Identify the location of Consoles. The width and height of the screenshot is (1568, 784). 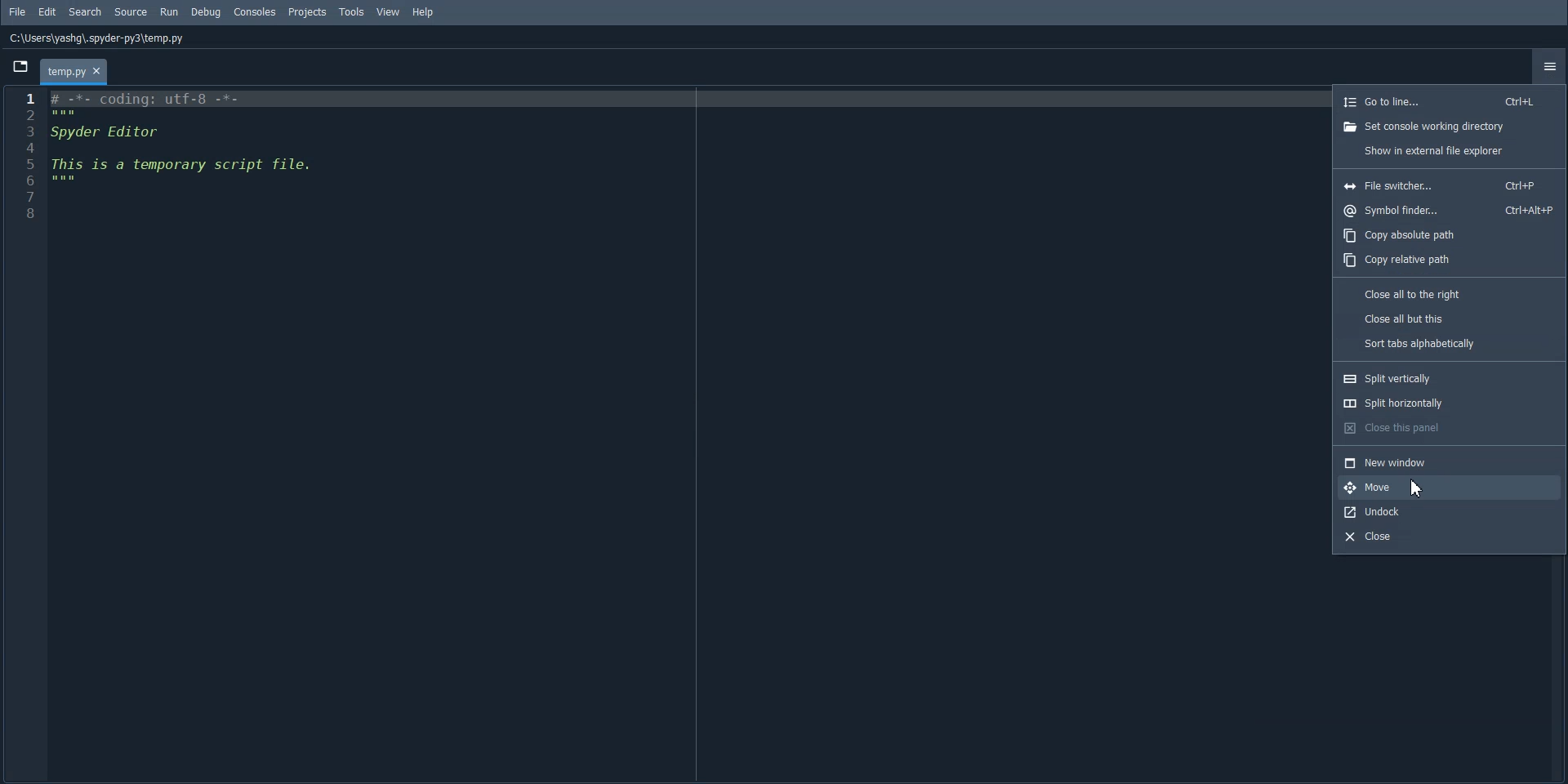
(254, 11).